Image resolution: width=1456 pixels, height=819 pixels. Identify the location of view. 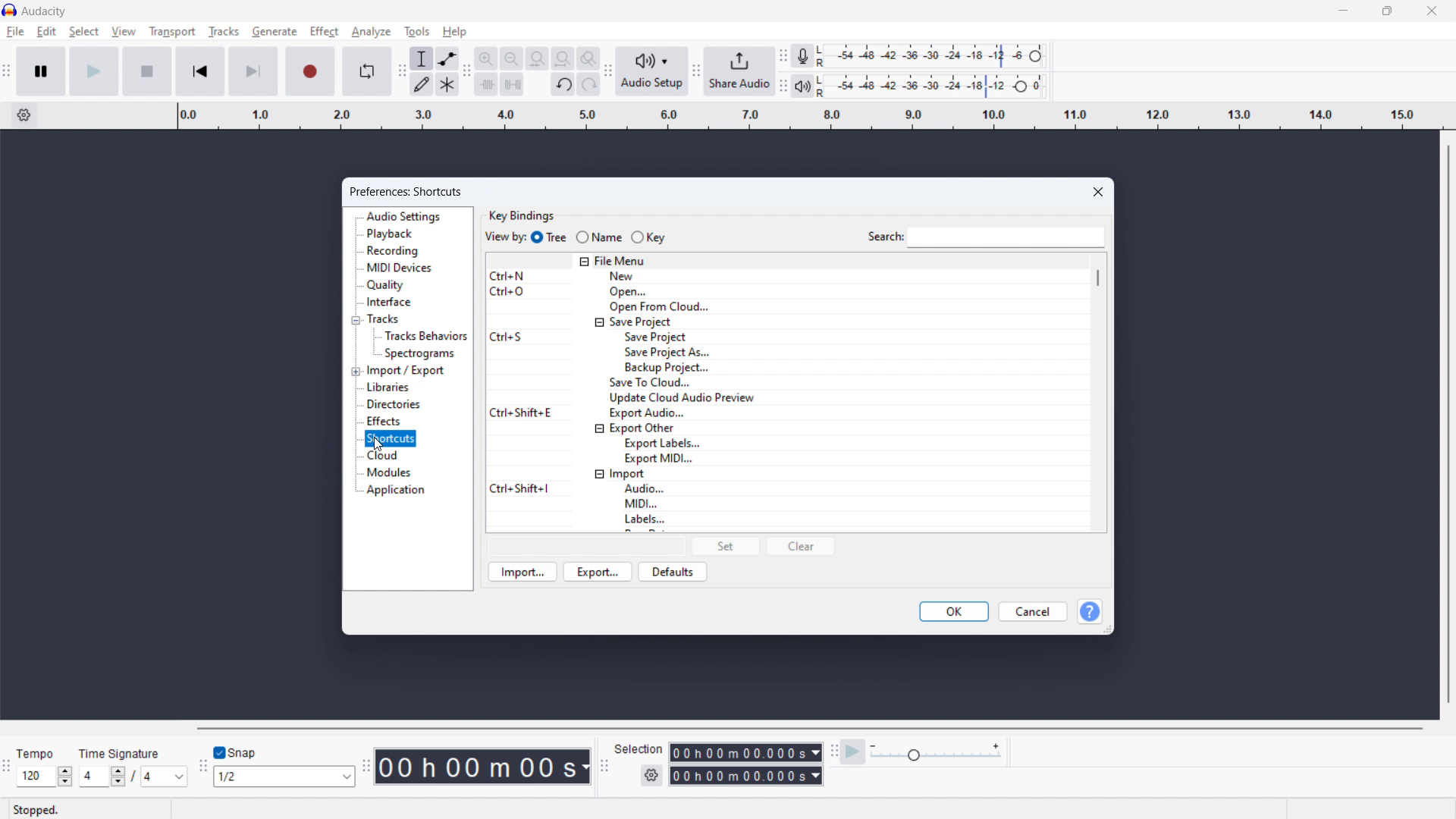
(124, 31).